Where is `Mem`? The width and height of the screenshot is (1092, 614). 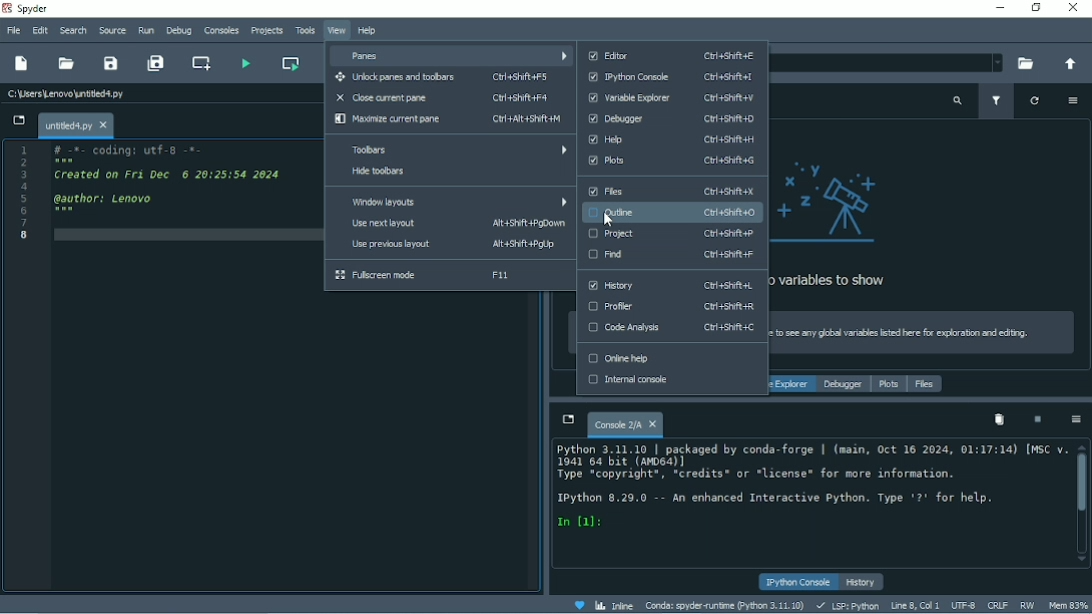 Mem is located at coordinates (1068, 605).